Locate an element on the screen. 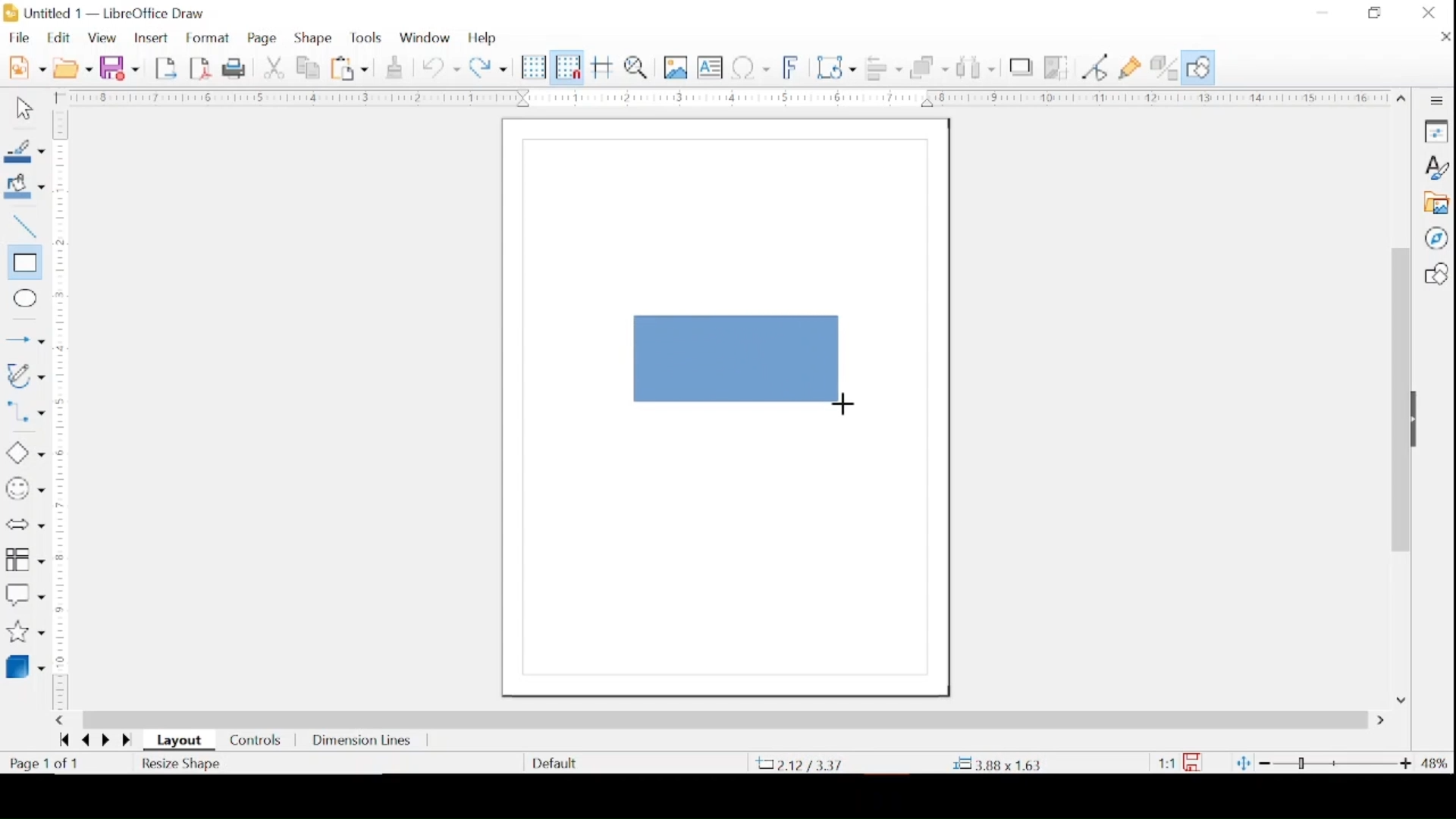  export is located at coordinates (168, 67).